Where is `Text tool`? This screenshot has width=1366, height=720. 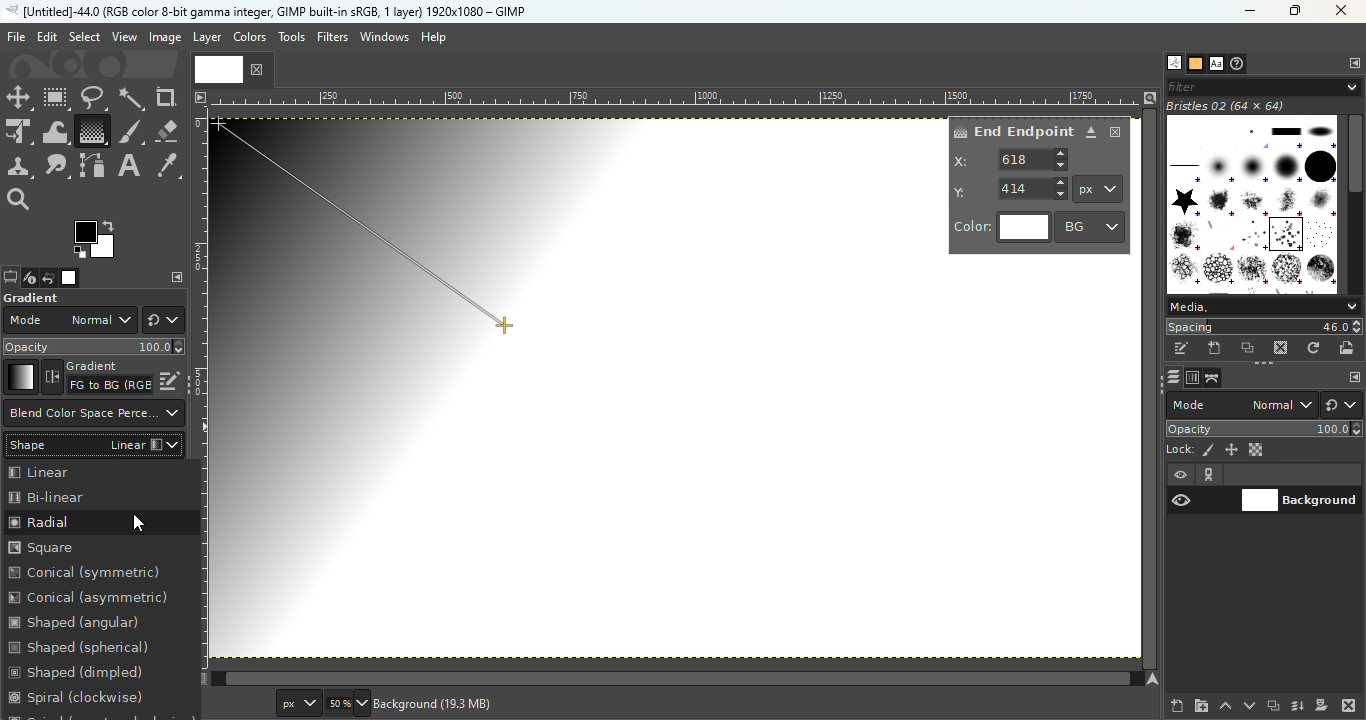
Text tool is located at coordinates (129, 166).